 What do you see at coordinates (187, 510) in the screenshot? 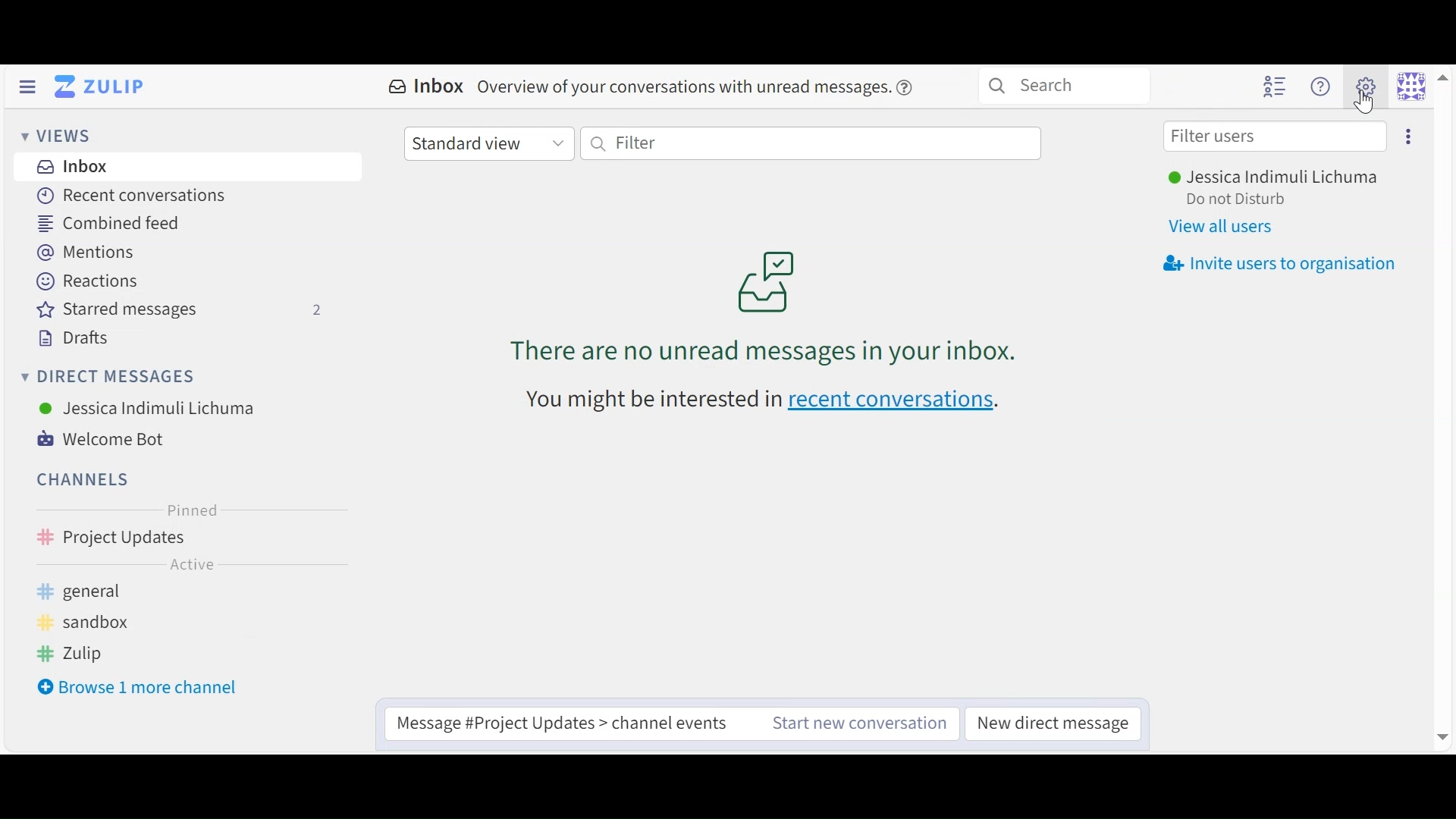
I see `Pinned Channel` at bounding box center [187, 510].